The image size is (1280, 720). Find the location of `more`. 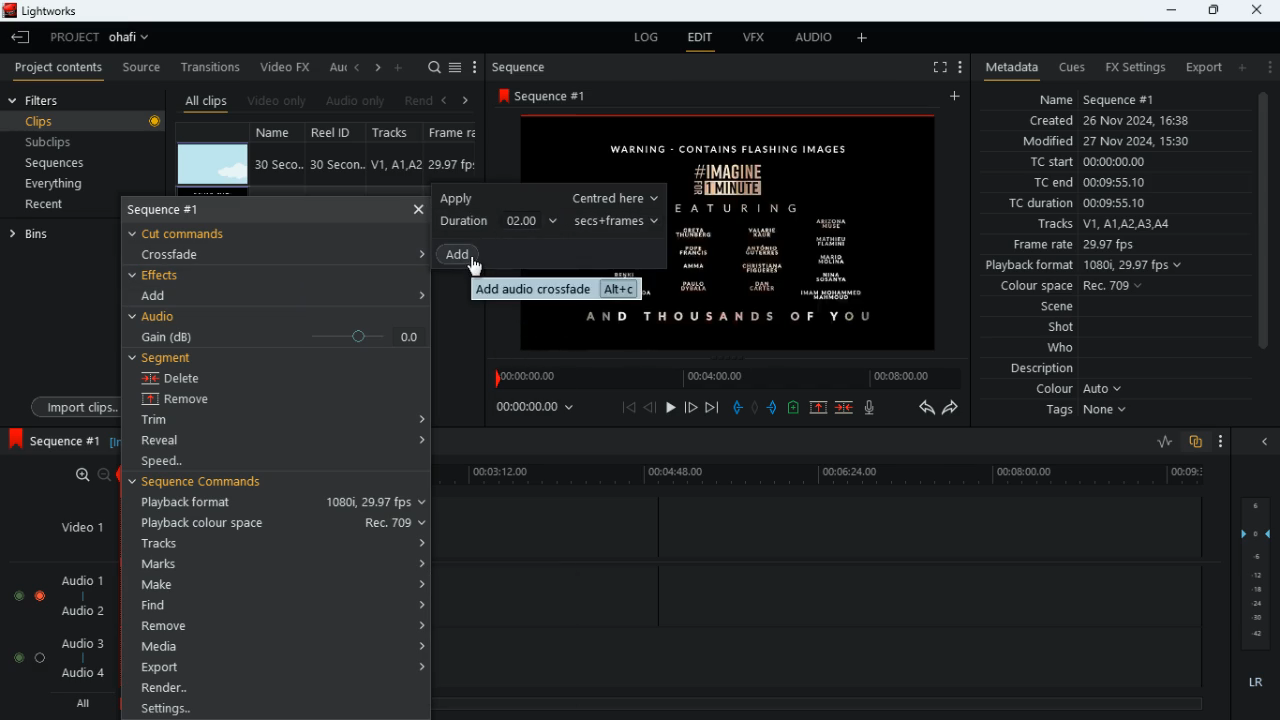

more is located at coordinates (958, 66).